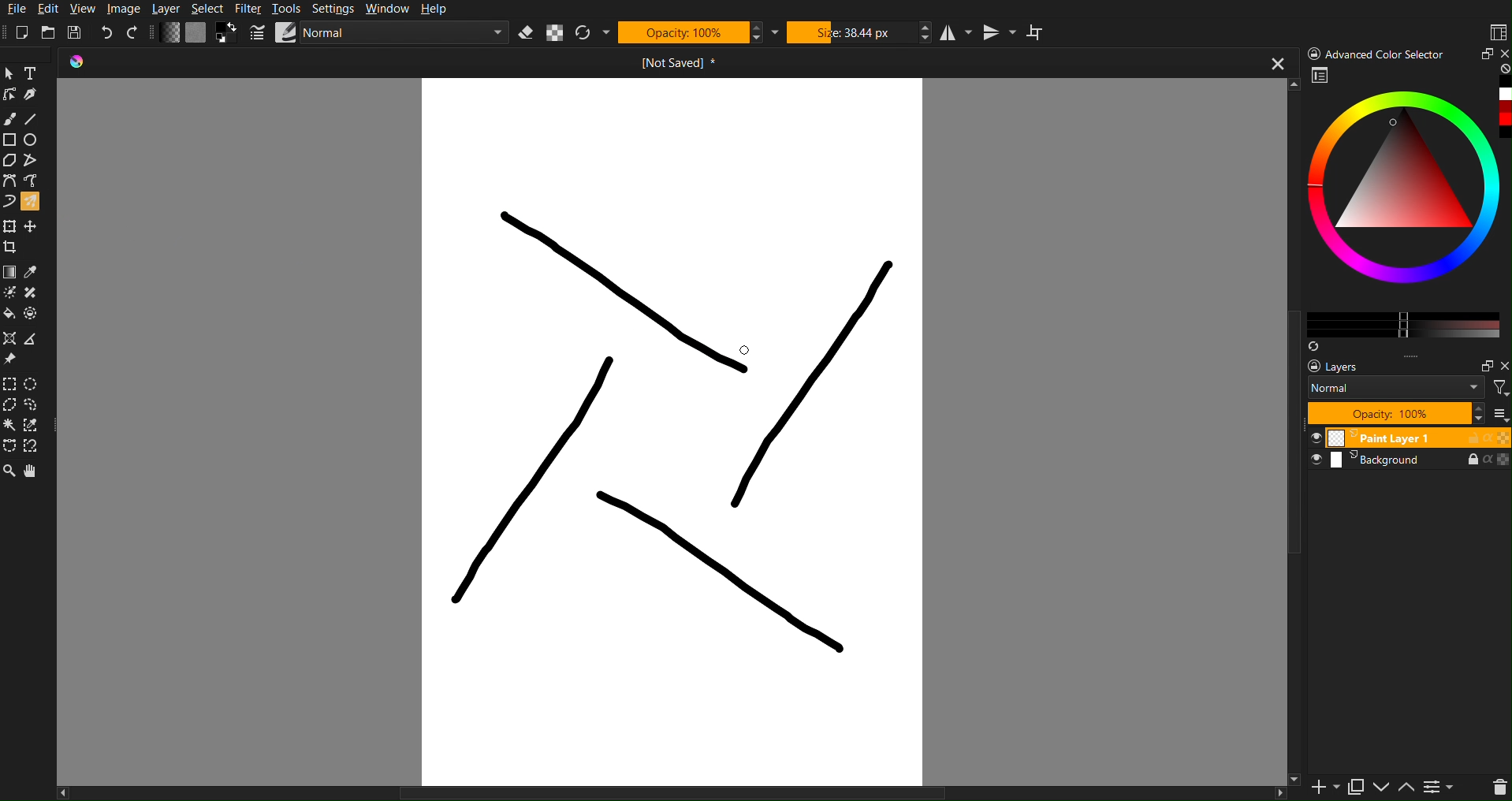 The image size is (1512, 801). I want to click on Bezier Curve, so click(9, 181).